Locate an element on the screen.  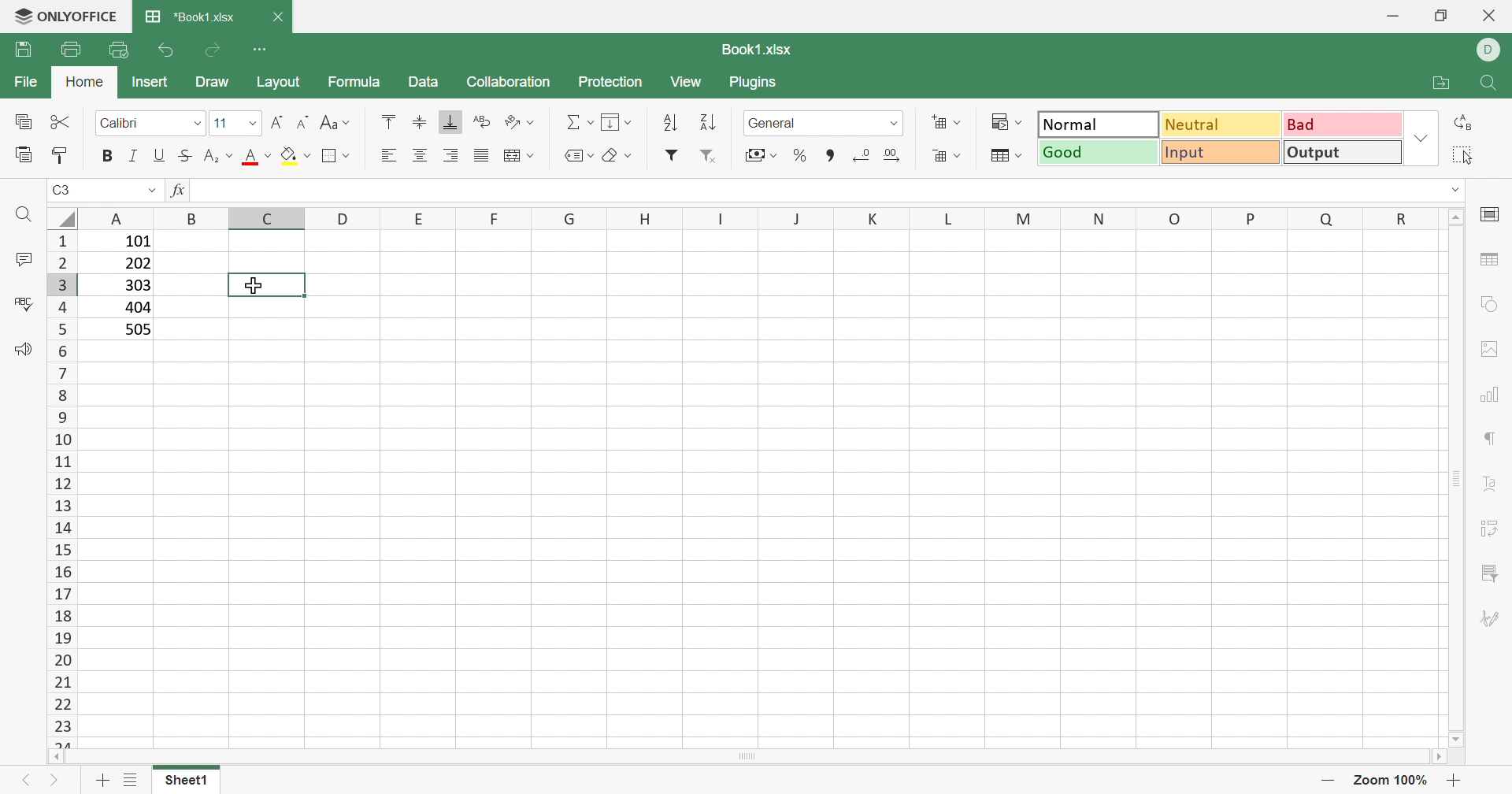
Scroll Right is located at coordinates (1449, 760).